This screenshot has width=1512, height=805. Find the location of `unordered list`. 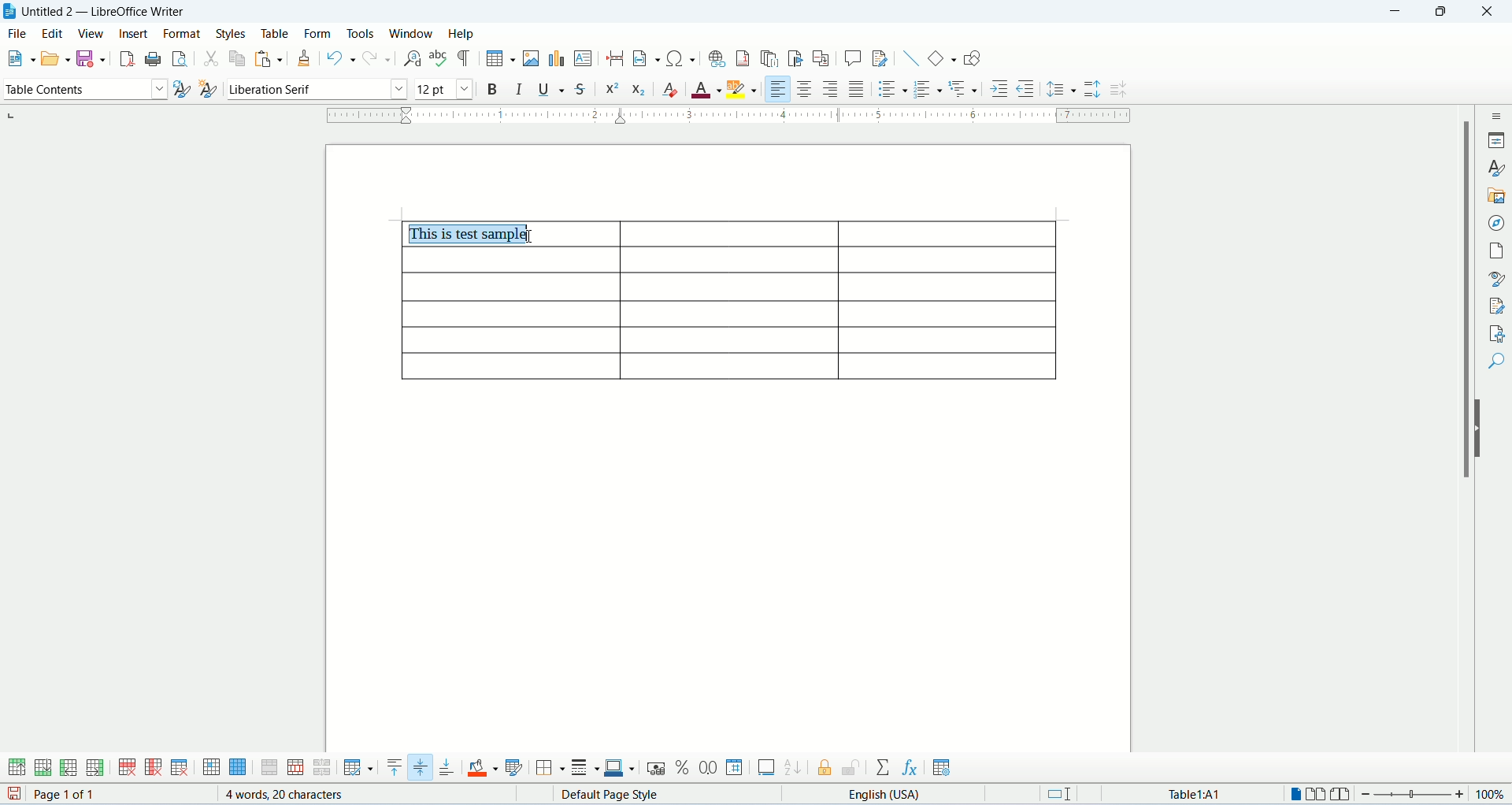

unordered list is located at coordinates (893, 88).